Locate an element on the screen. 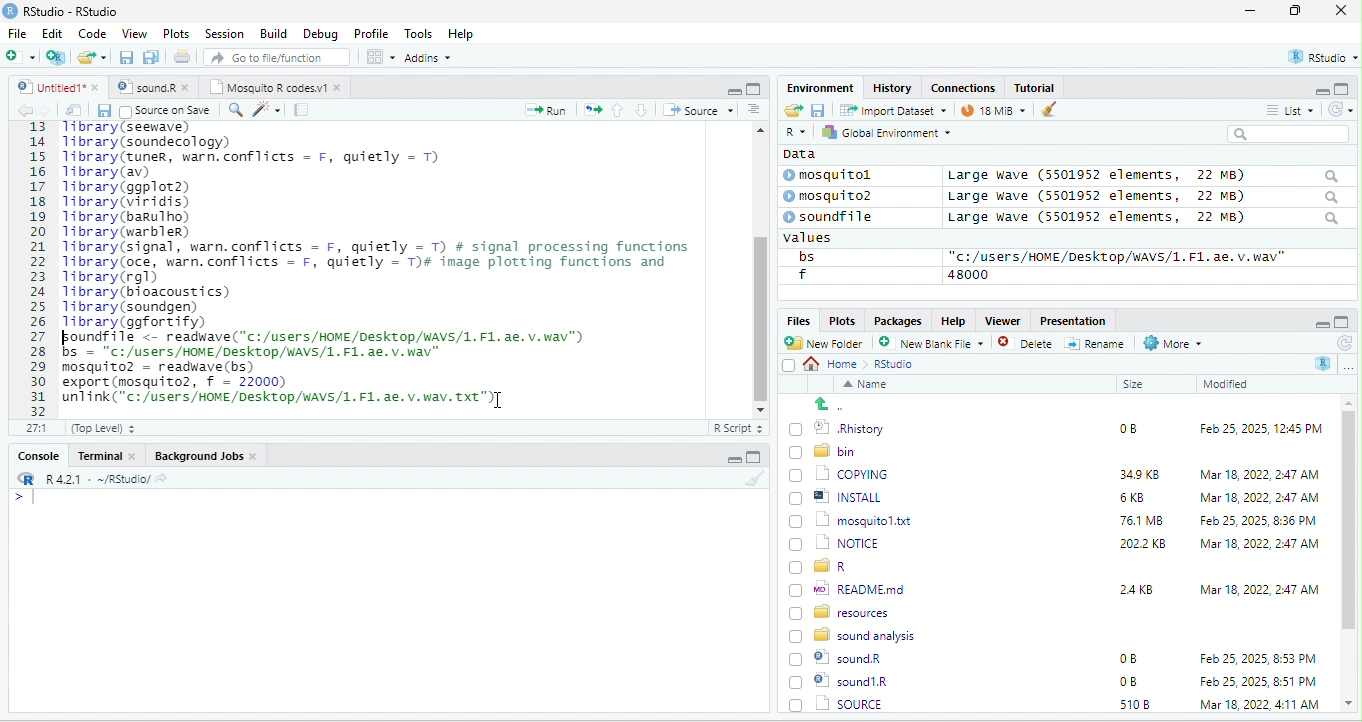  2022 KB is located at coordinates (1144, 545).